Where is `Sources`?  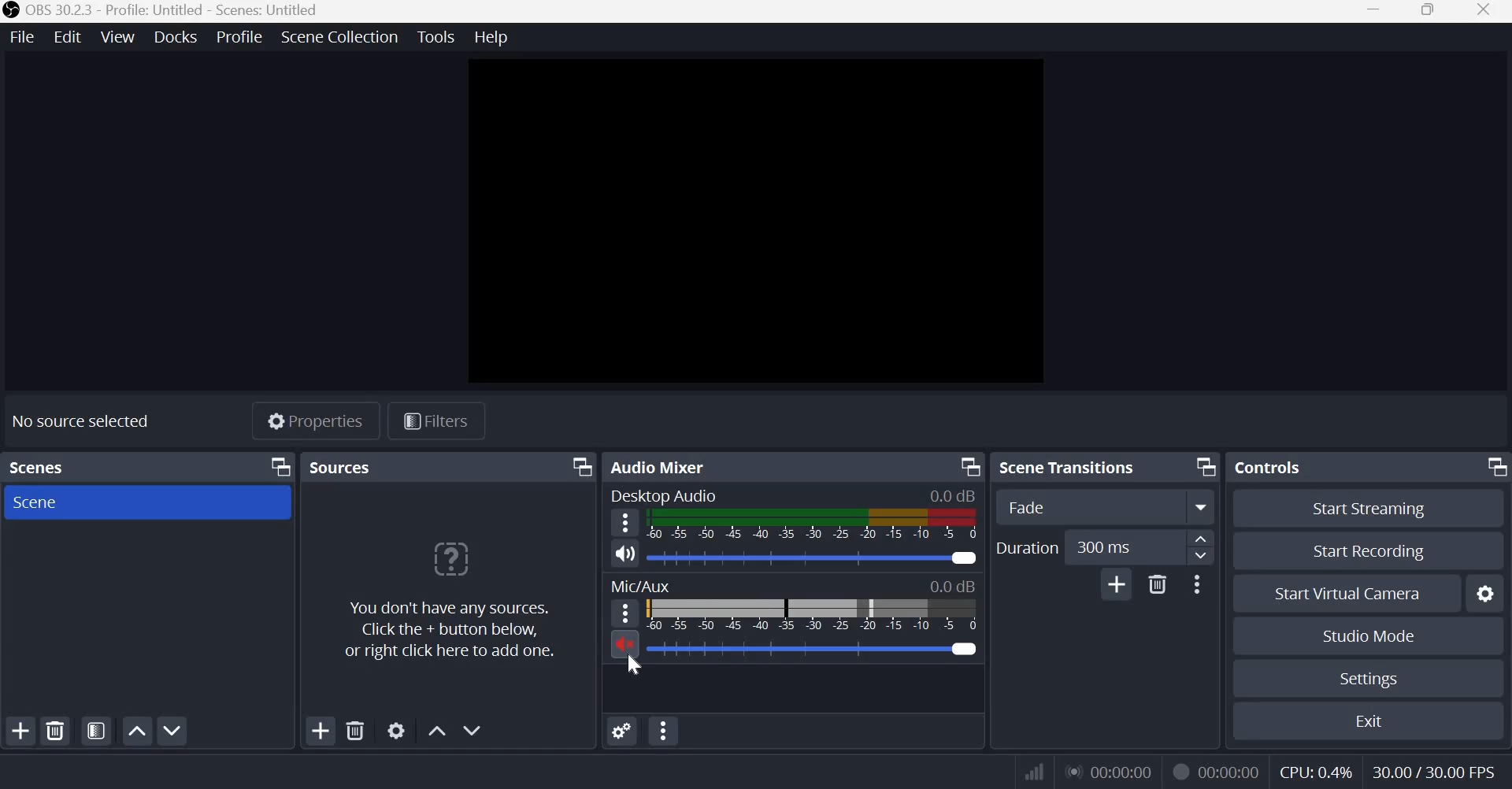 Sources is located at coordinates (343, 465).